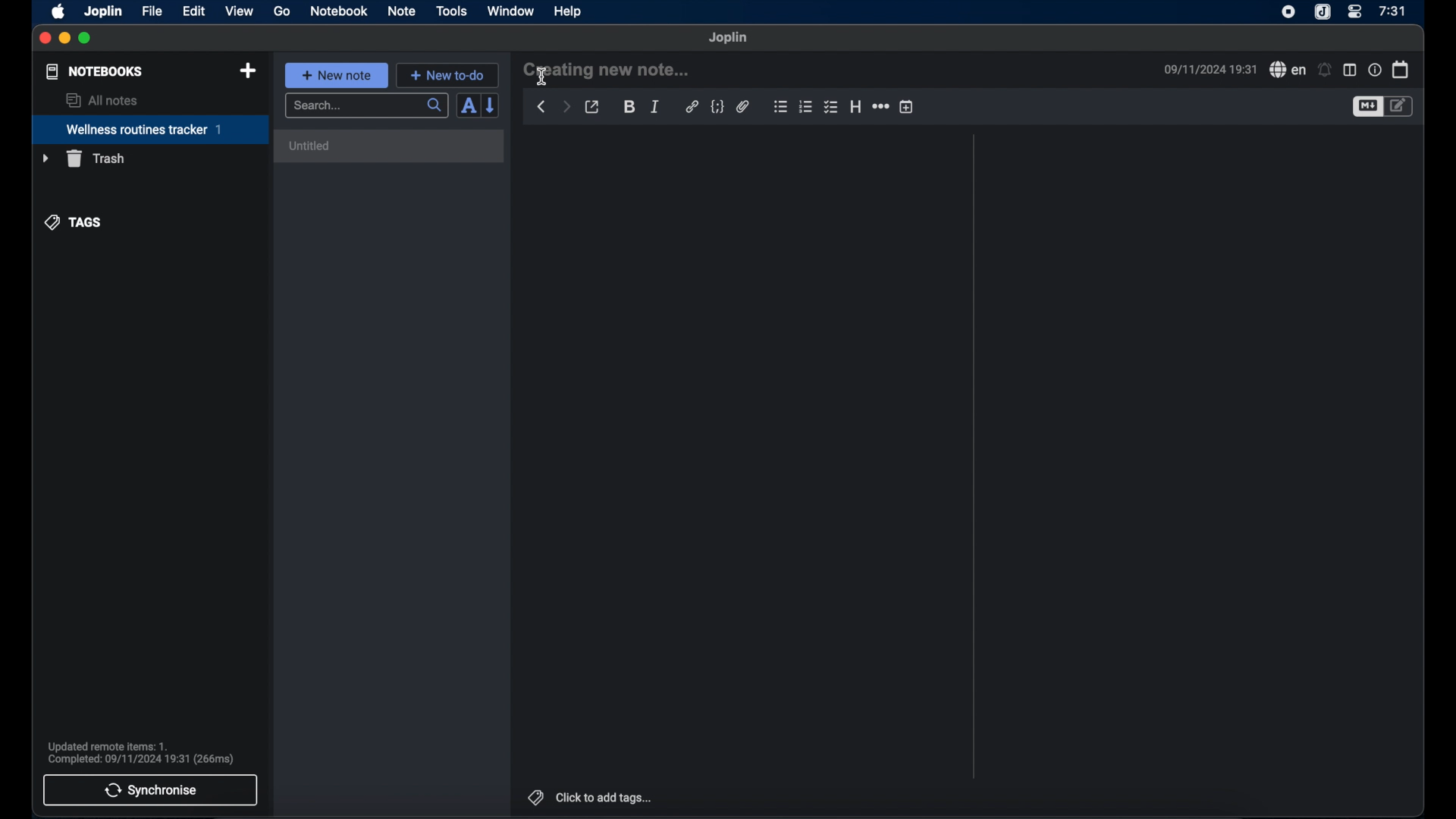  Describe the element at coordinates (973, 457) in the screenshot. I see `Scroll bar` at that location.